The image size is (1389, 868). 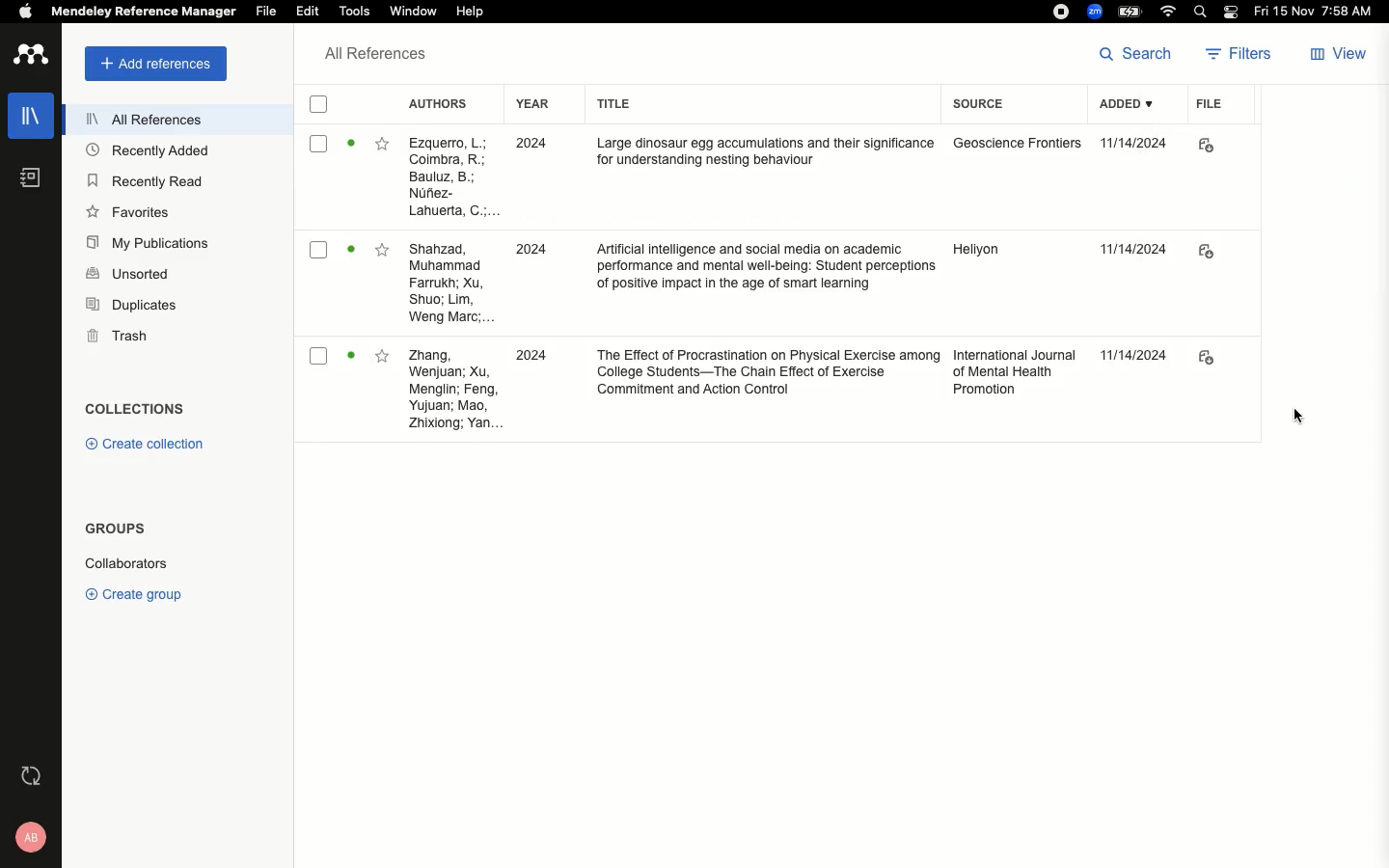 I want to click on cursor, so click(x=1289, y=418).